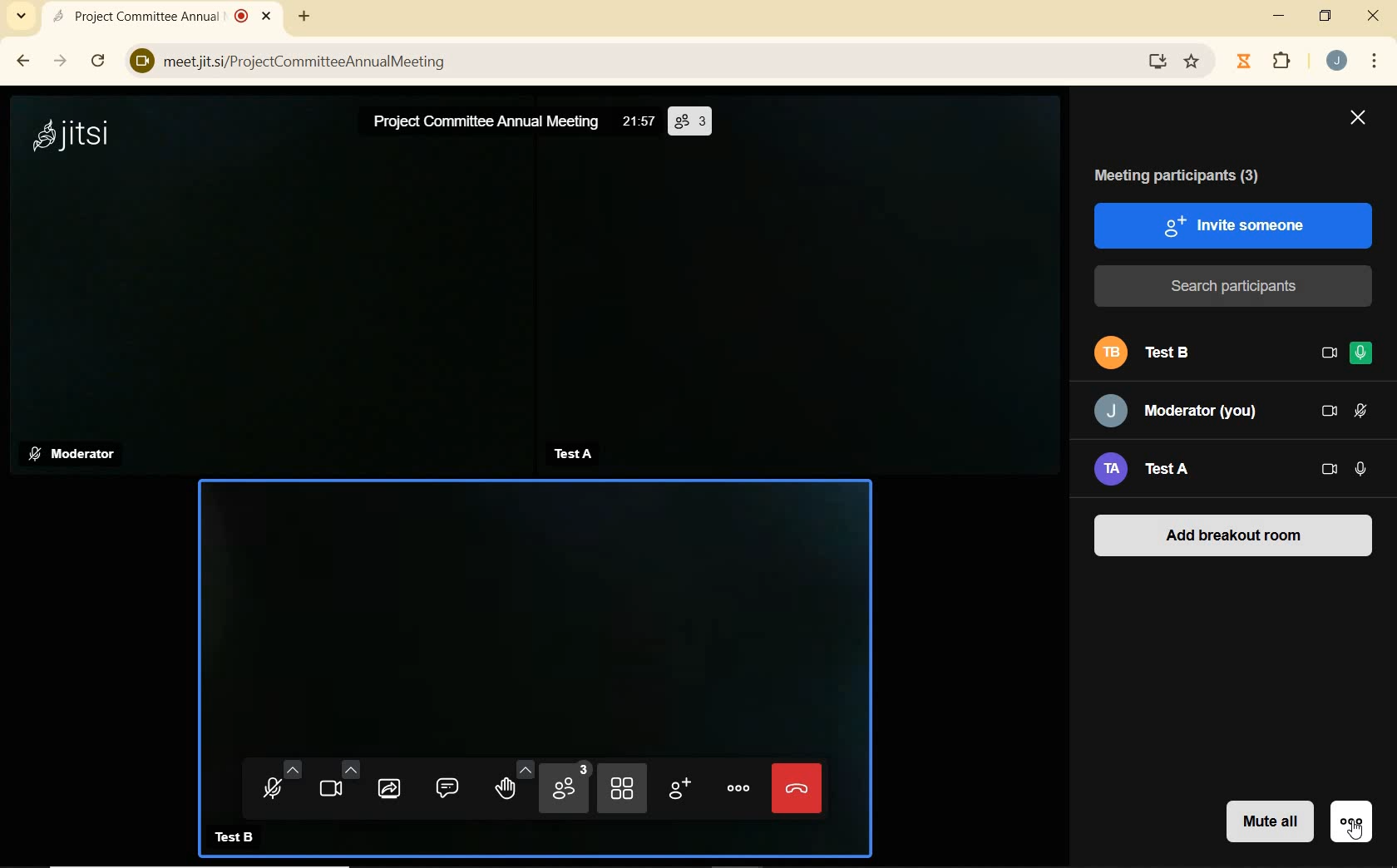  What do you see at coordinates (136, 60) in the screenshot?
I see `View site information` at bounding box center [136, 60].